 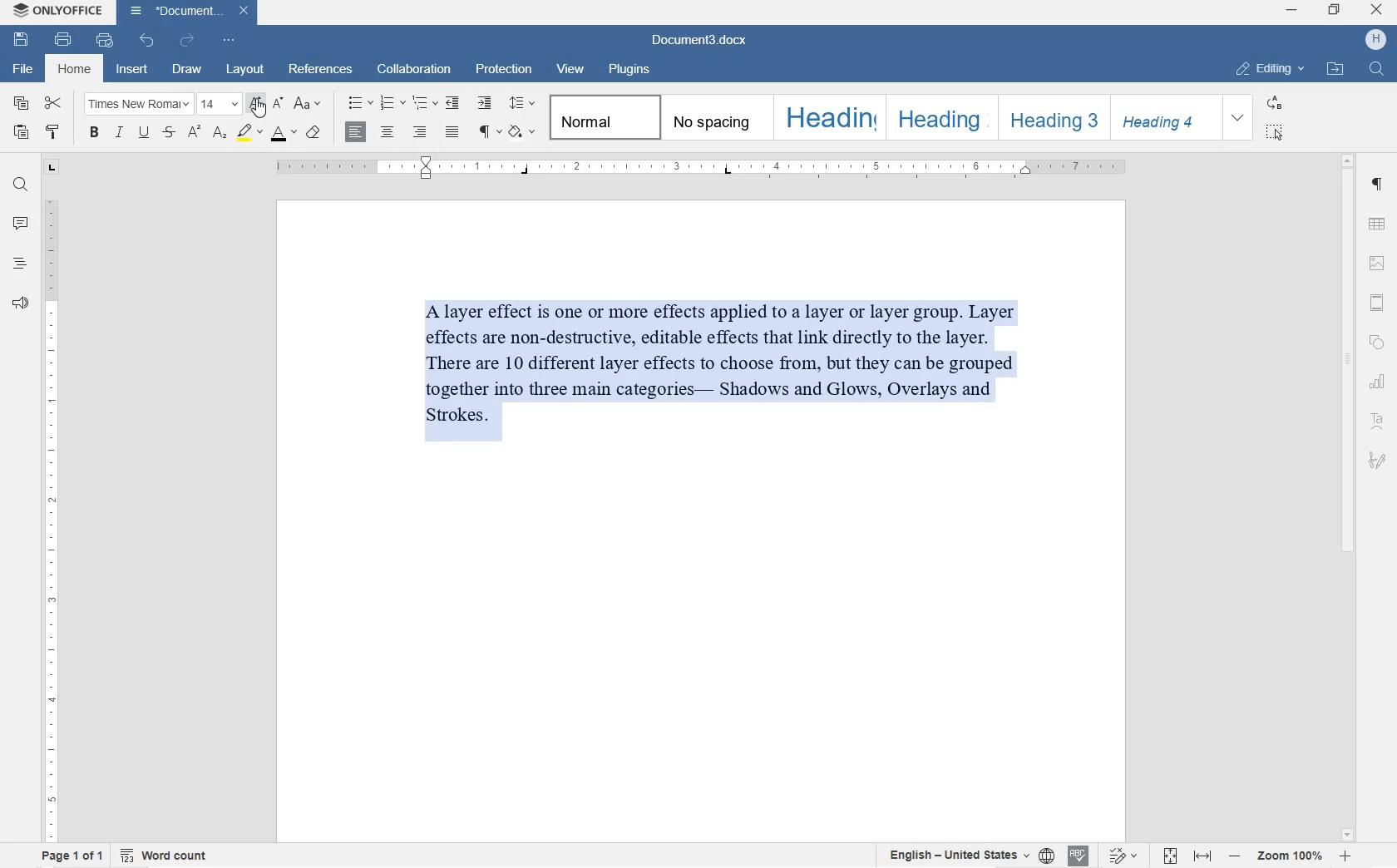 What do you see at coordinates (1335, 12) in the screenshot?
I see `RESTORE` at bounding box center [1335, 12].